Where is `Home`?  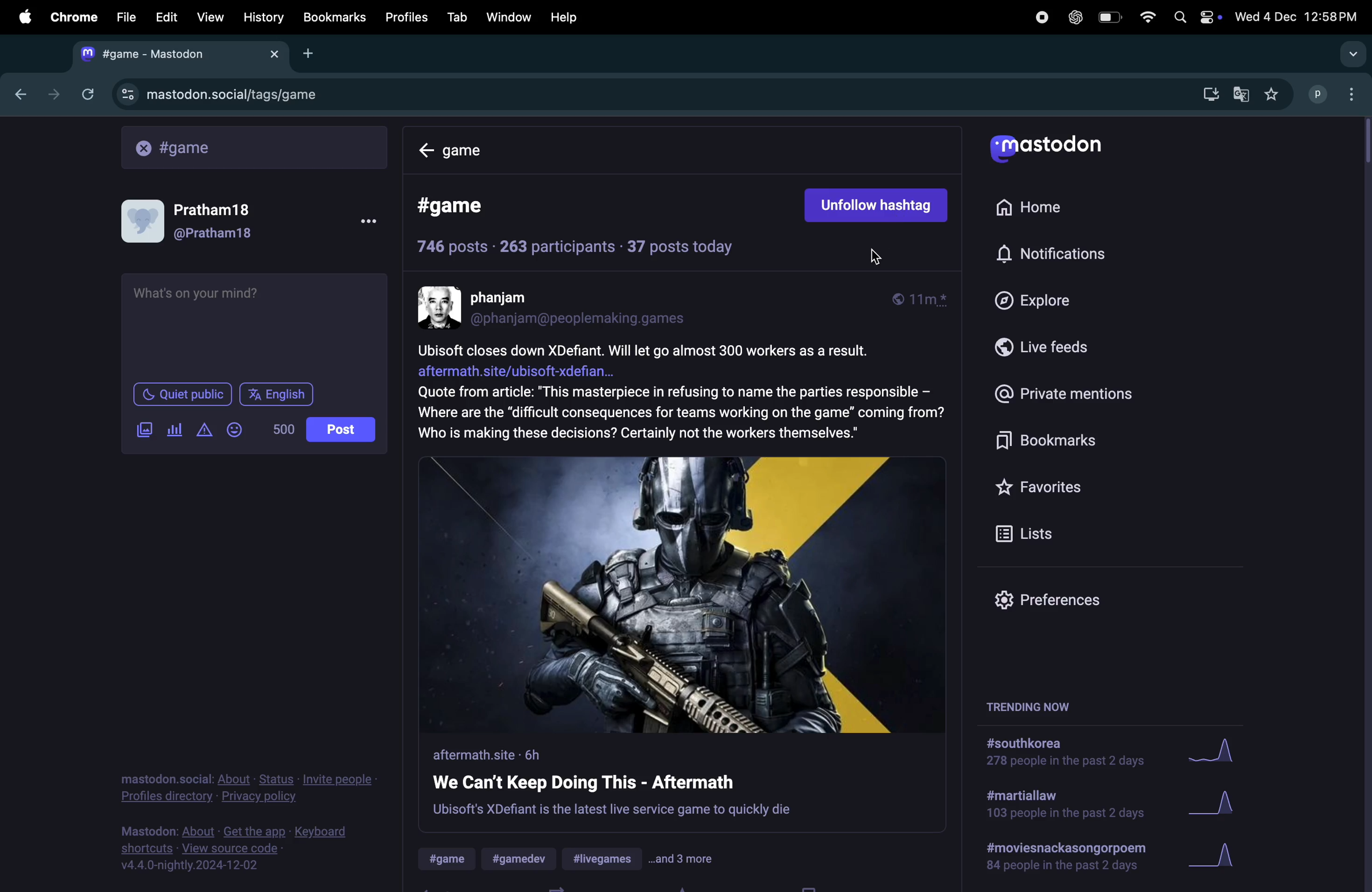 Home is located at coordinates (474, 150).